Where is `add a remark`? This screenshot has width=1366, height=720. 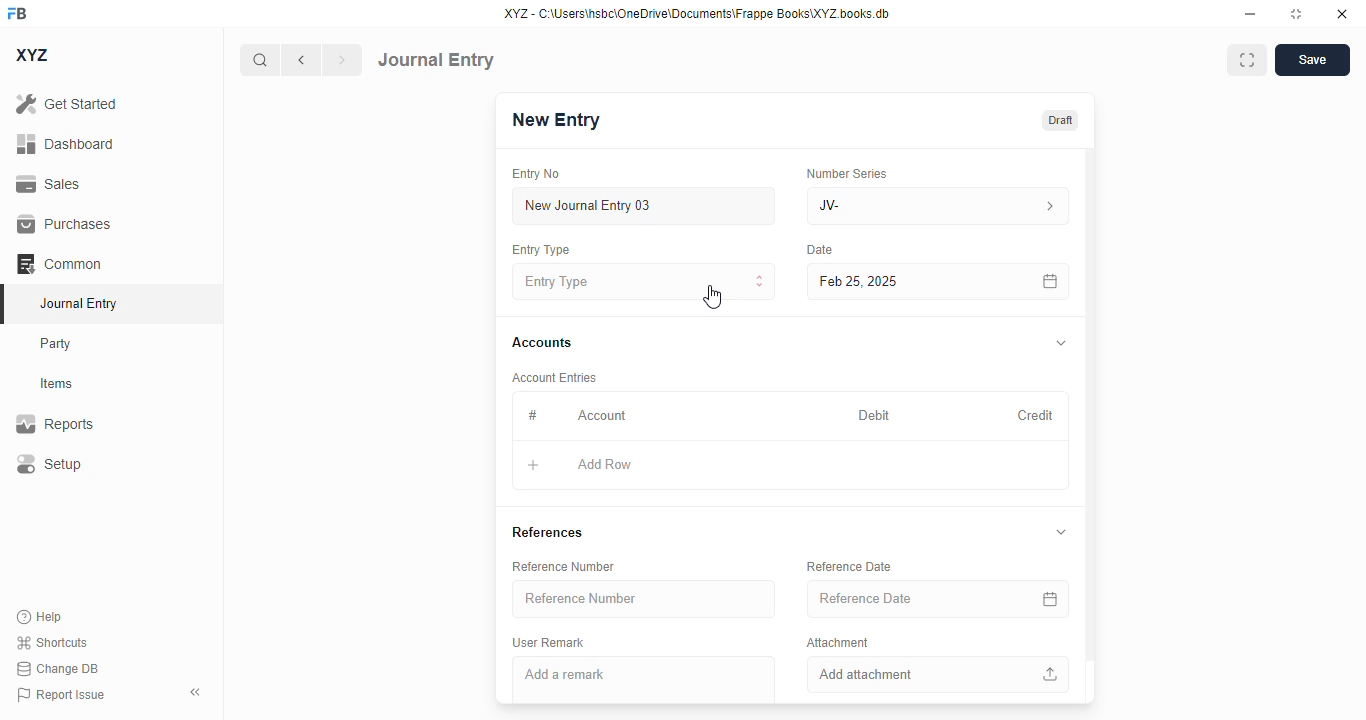 add a remark is located at coordinates (644, 680).